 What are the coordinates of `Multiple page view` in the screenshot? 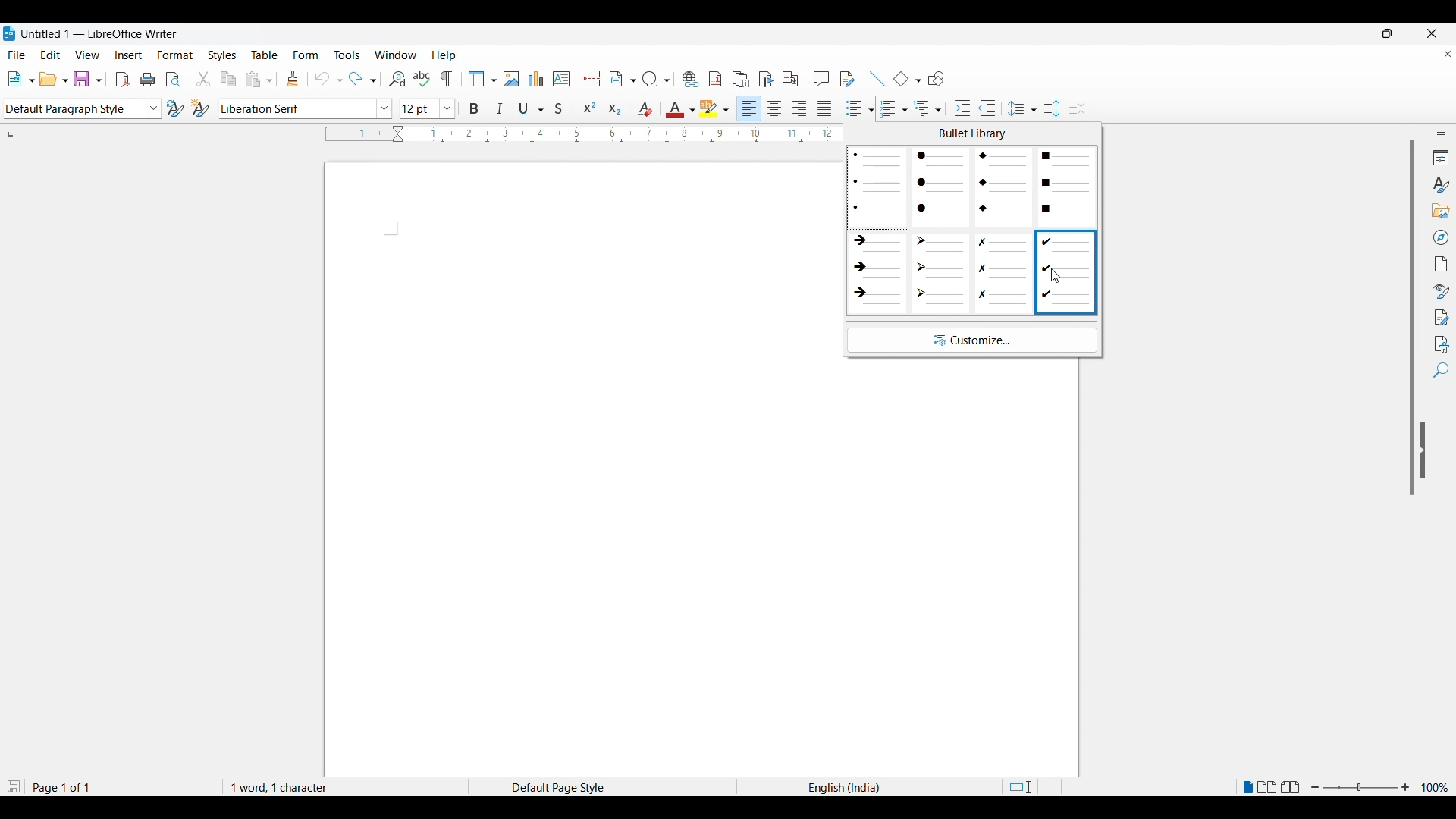 It's located at (1269, 787).